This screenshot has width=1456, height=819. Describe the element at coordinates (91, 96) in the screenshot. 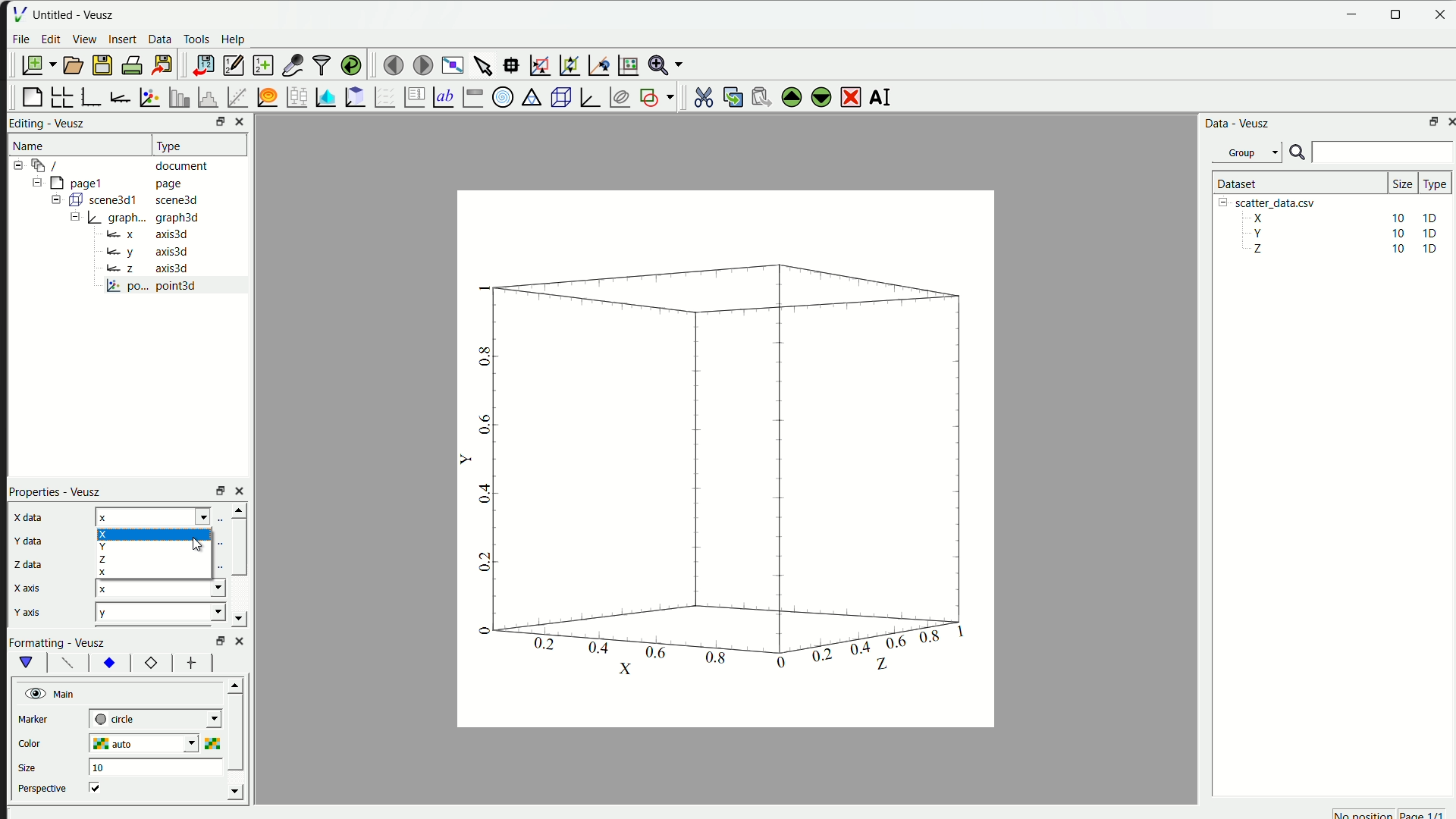

I see `base graph` at that location.